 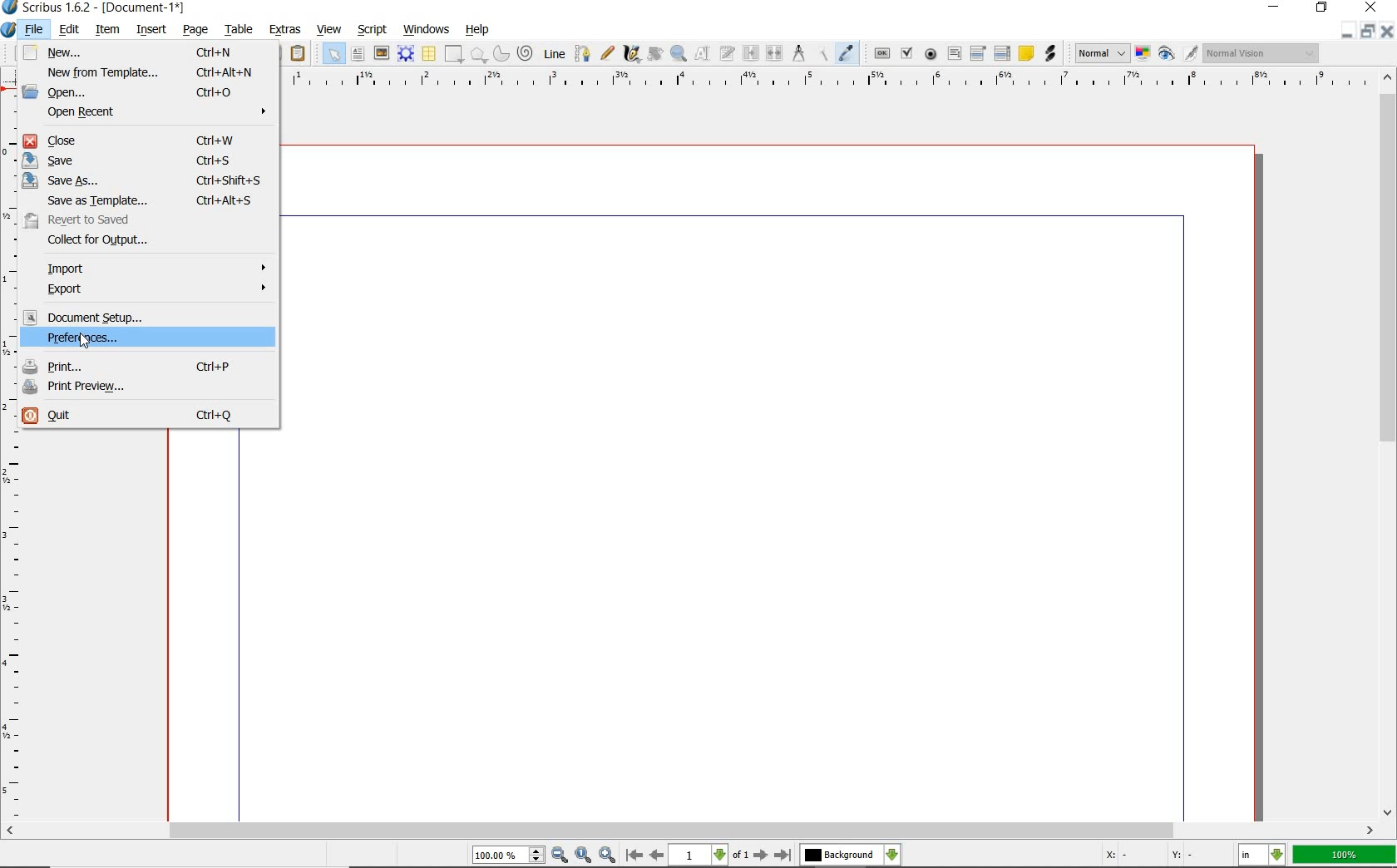 What do you see at coordinates (801, 55) in the screenshot?
I see `measurements` at bounding box center [801, 55].